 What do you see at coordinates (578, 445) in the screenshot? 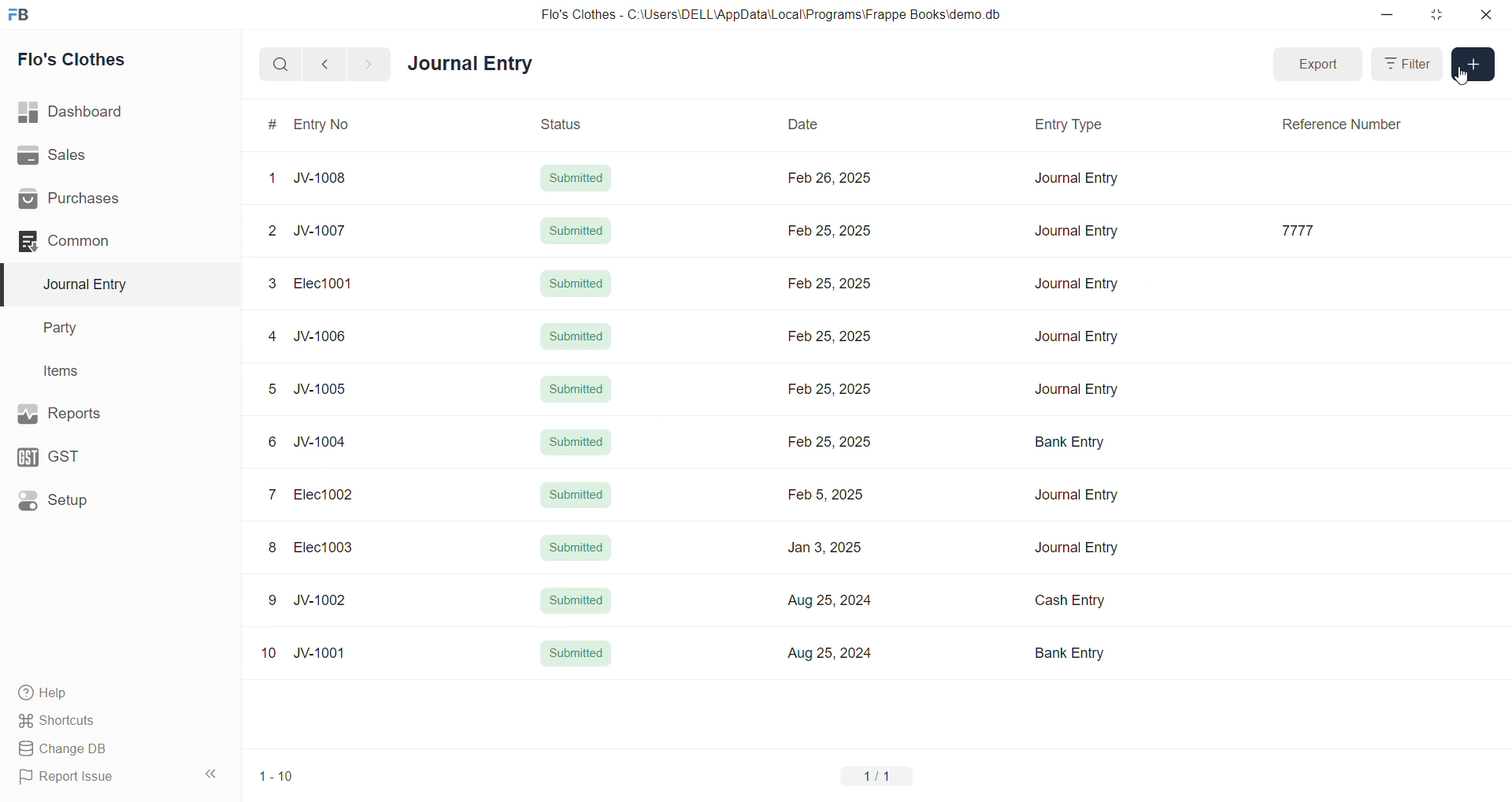
I see `Submitted` at bounding box center [578, 445].